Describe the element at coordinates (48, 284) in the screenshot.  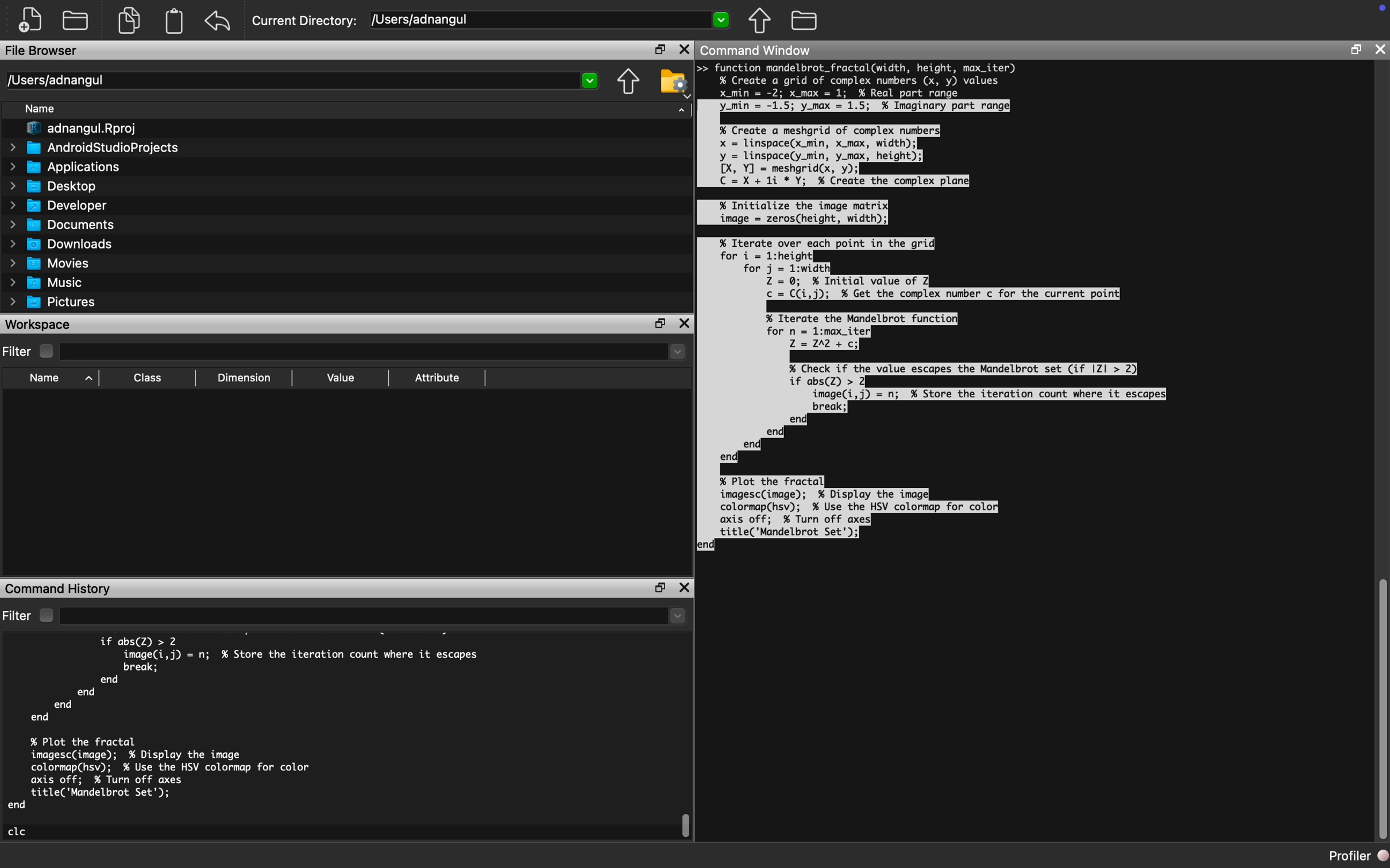
I see `Music` at that location.